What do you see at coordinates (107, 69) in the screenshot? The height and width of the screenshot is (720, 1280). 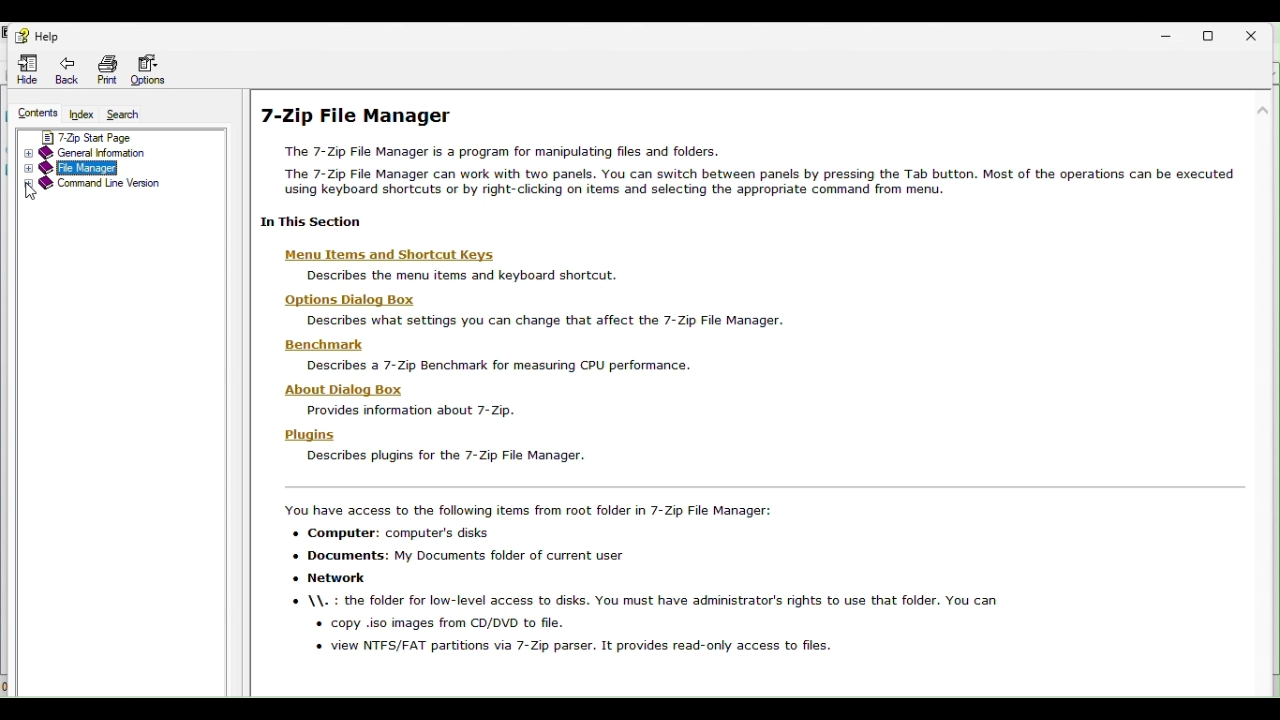 I see `Print` at bounding box center [107, 69].